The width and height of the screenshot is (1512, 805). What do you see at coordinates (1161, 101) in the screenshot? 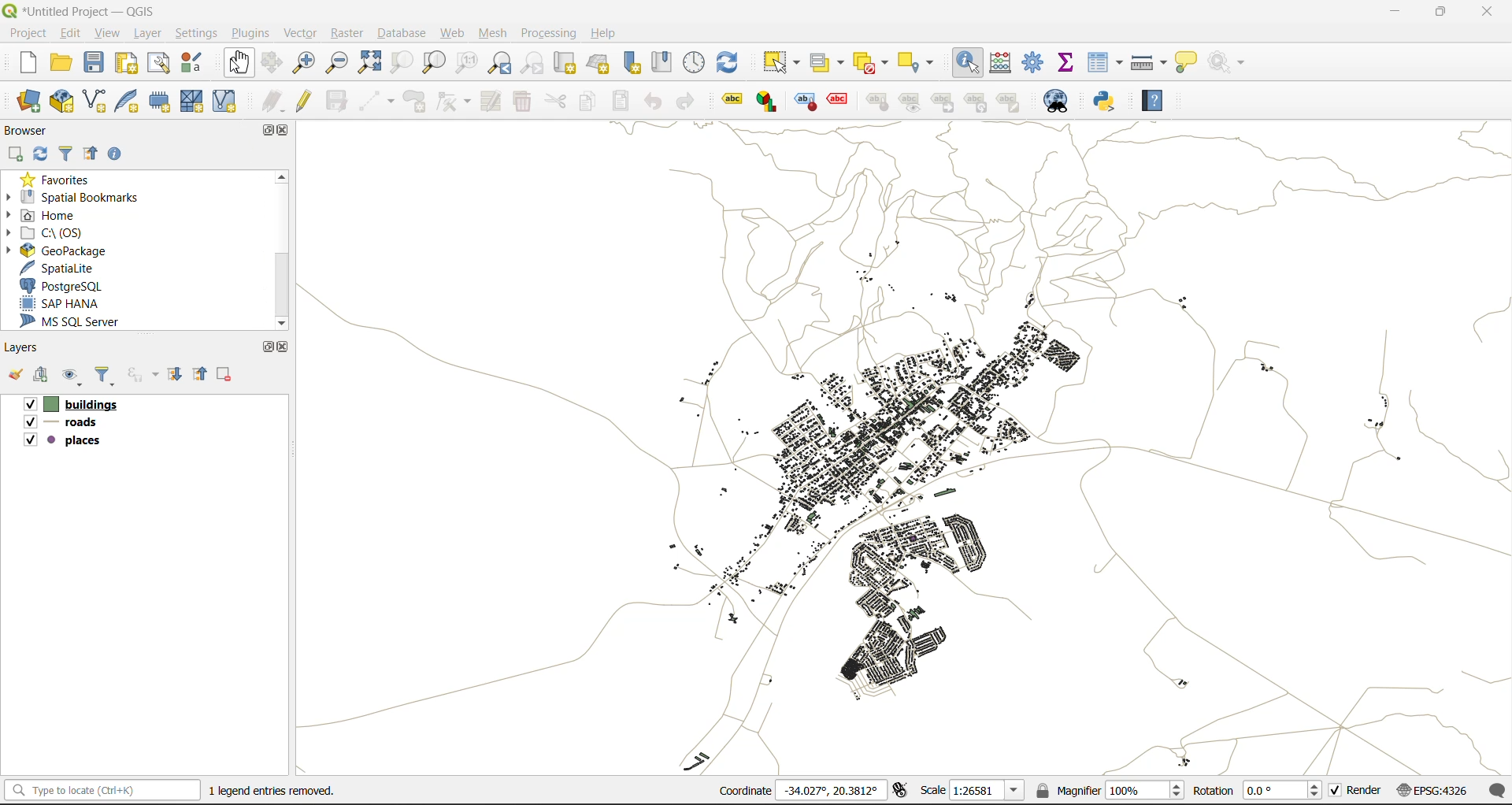
I see `help` at bounding box center [1161, 101].